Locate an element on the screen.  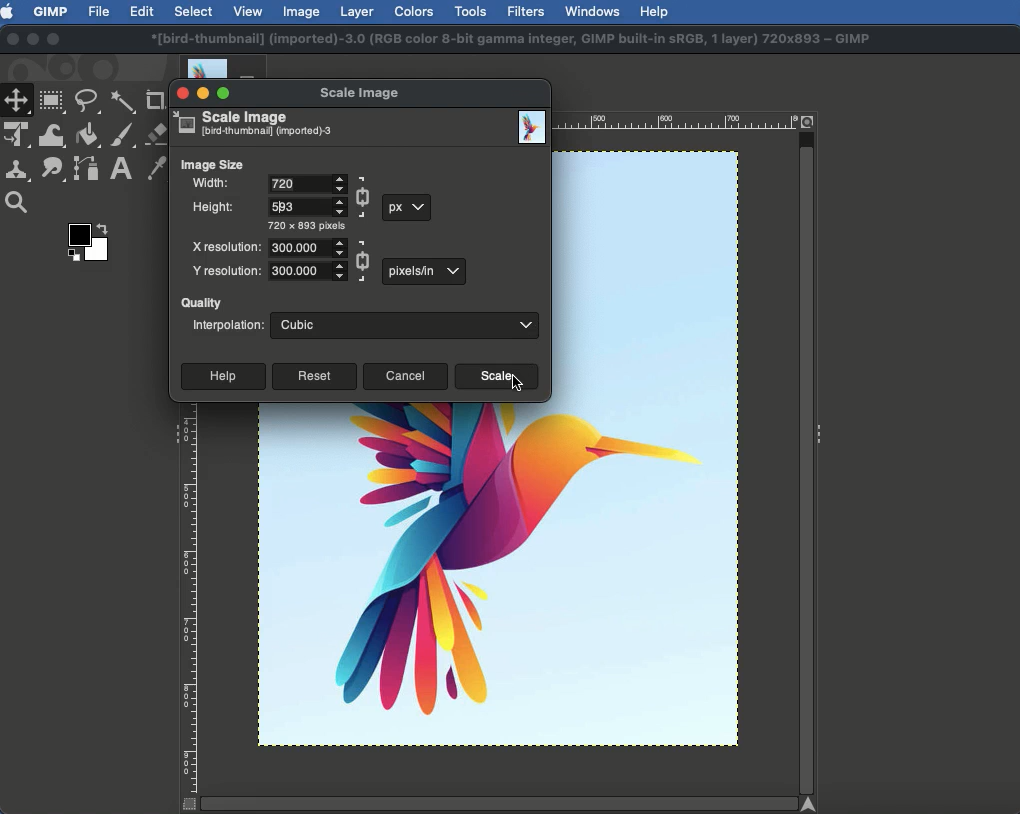
View is located at coordinates (249, 10).